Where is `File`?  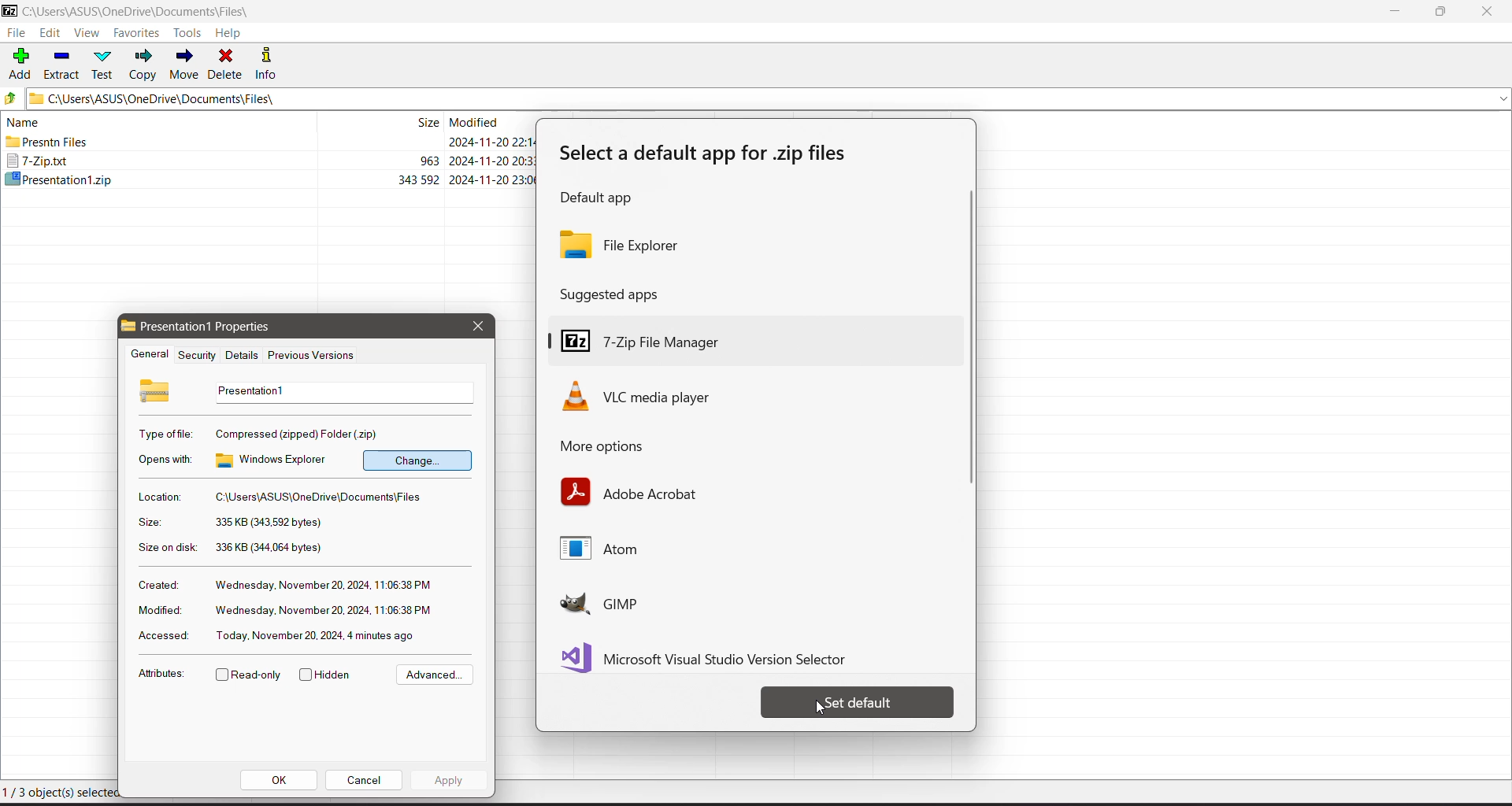
File is located at coordinates (16, 33).